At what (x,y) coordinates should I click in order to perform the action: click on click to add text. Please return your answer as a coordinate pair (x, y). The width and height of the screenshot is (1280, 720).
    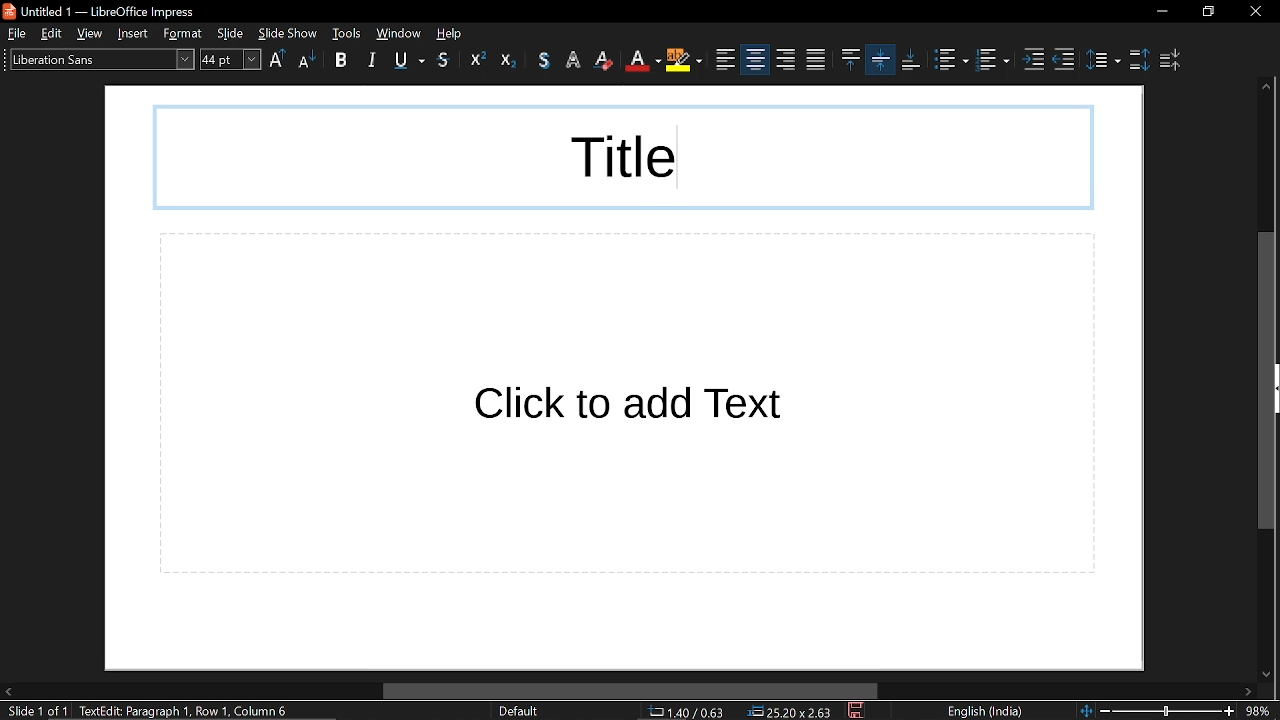
    Looking at the image, I should click on (627, 404).